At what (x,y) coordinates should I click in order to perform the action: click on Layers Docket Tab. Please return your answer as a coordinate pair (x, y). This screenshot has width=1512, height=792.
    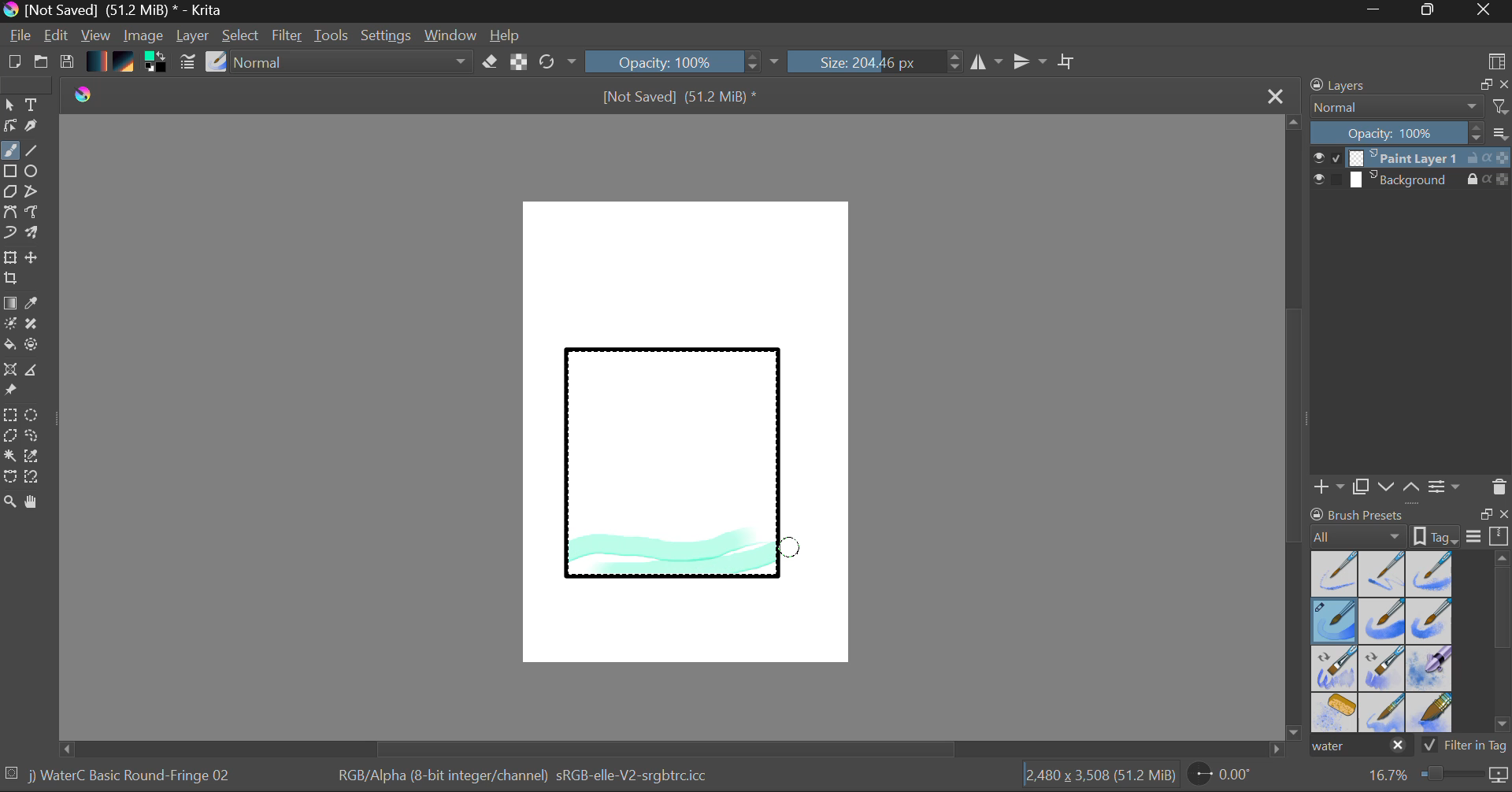
    Looking at the image, I should click on (1407, 83).